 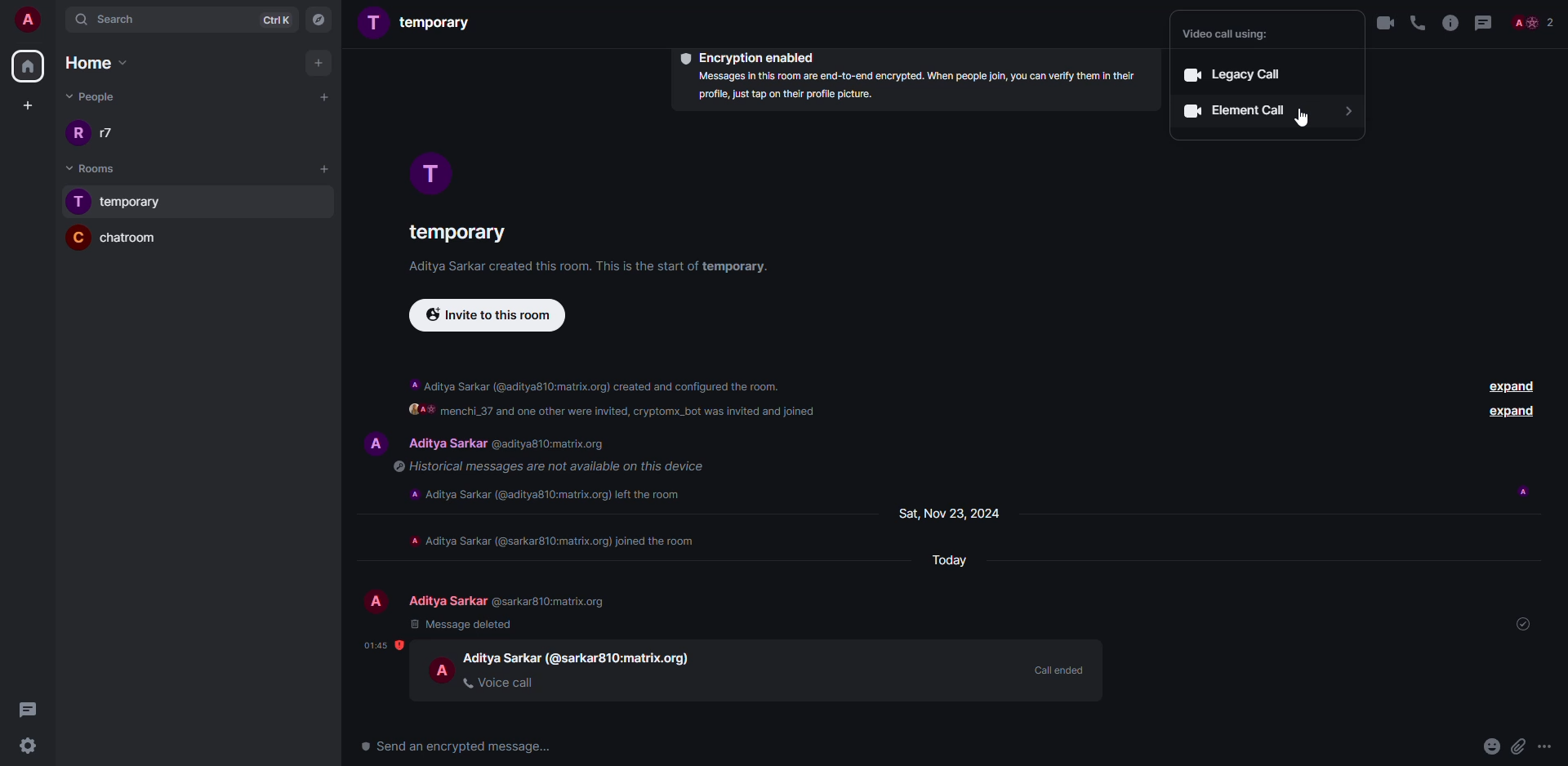 I want to click on voice call, so click(x=504, y=683).